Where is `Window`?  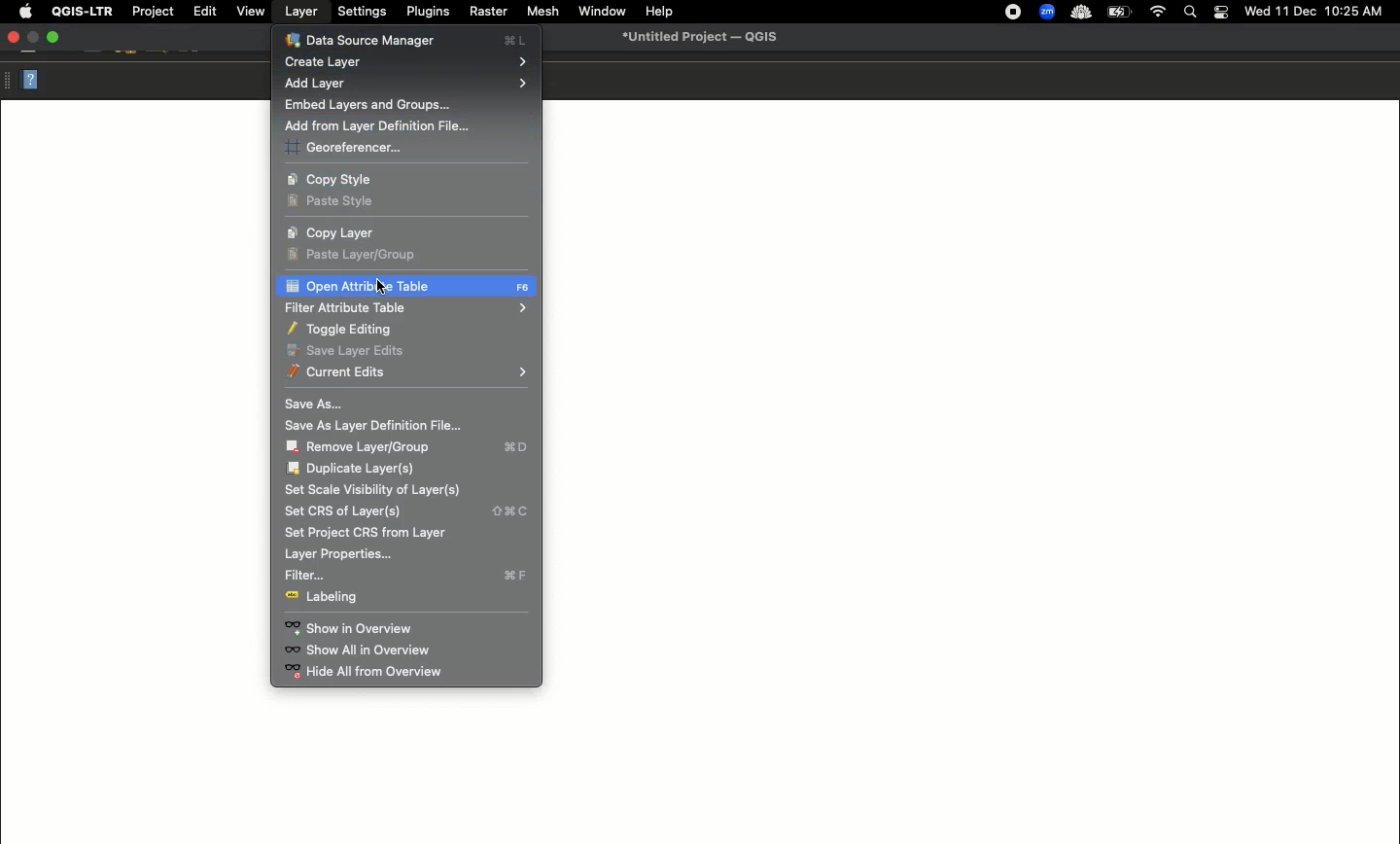
Window is located at coordinates (599, 10).